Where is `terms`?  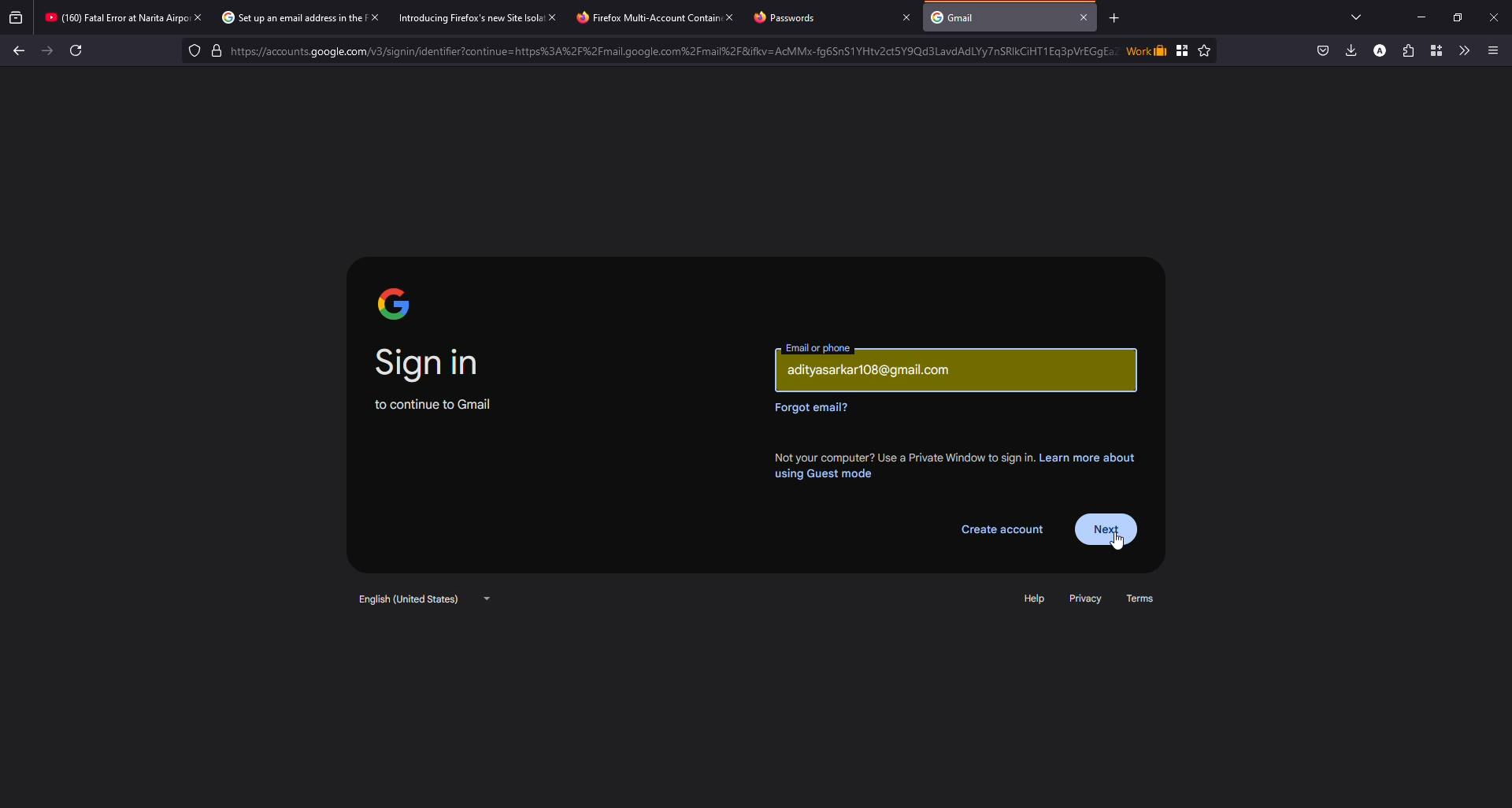 terms is located at coordinates (1147, 598).